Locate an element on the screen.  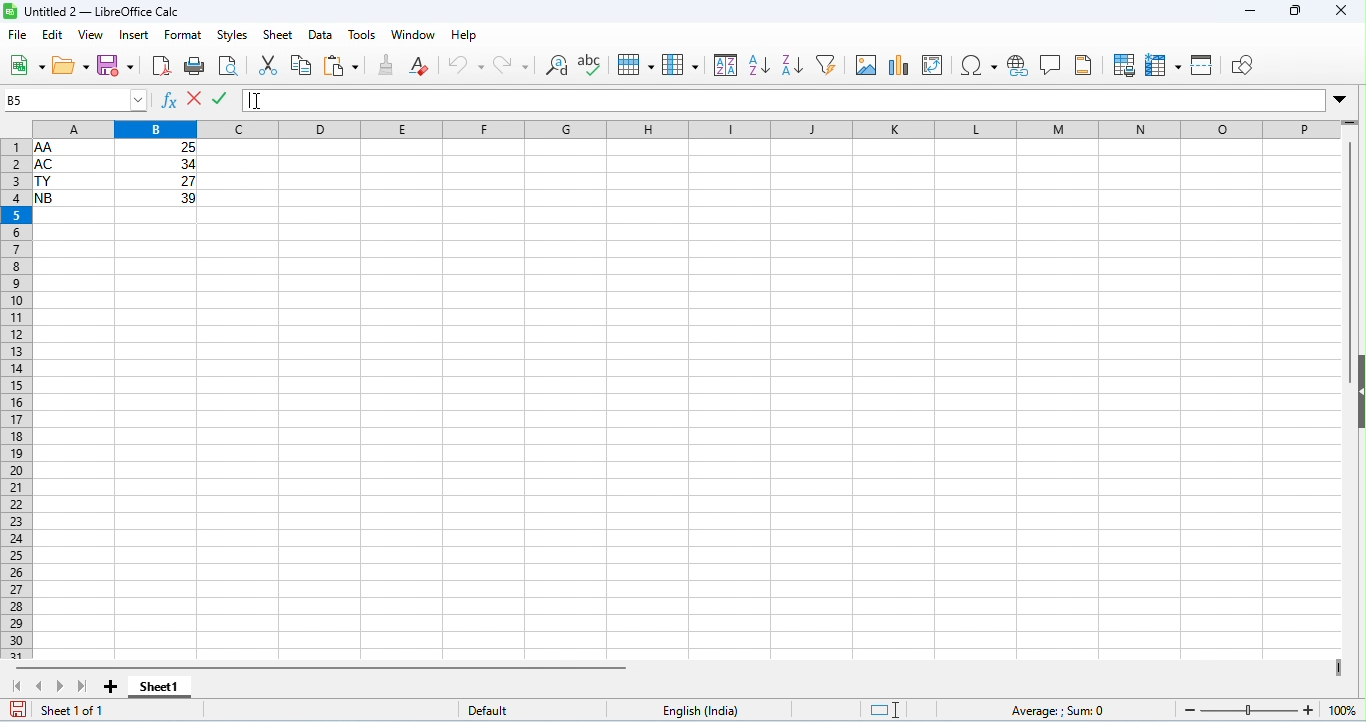
sheet 1 of 1 is located at coordinates (76, 710).